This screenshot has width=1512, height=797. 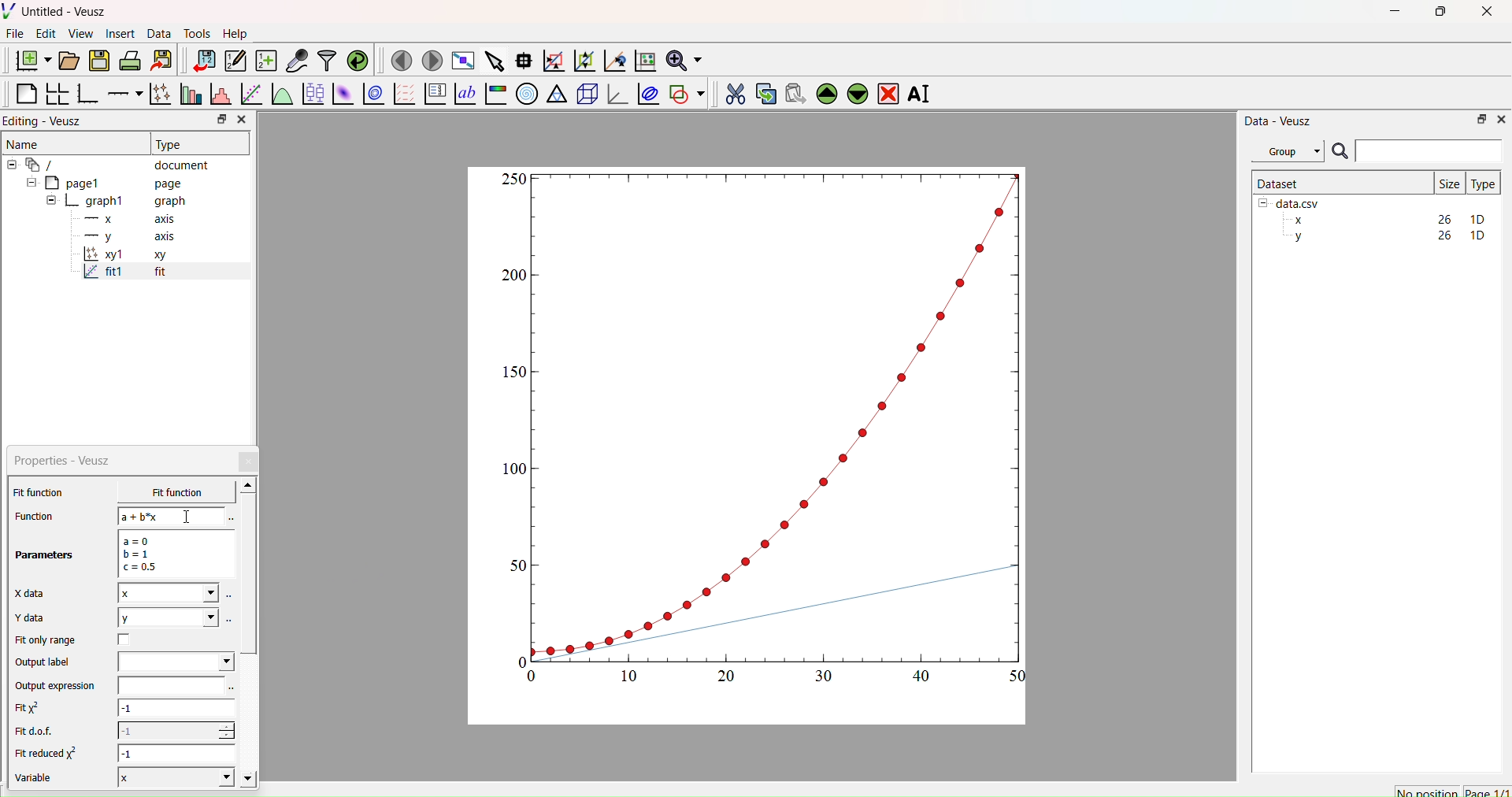 What do you see at coordinates (233, 33) in the screenshot?
I see `Help` at bounding box center [233, 33].